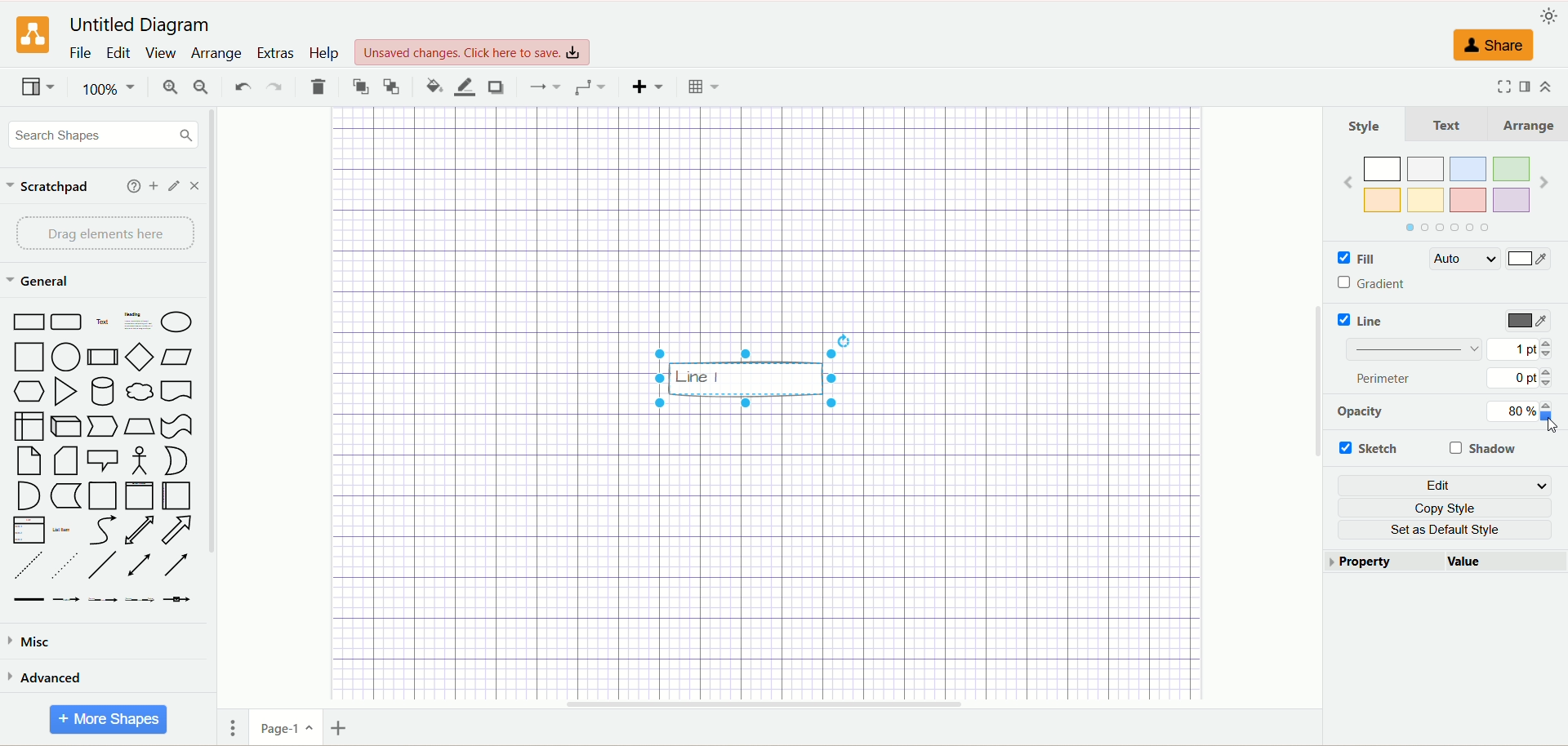 This screenshot has height=746, width=1568. I want to click on Step, so click(105, 427).